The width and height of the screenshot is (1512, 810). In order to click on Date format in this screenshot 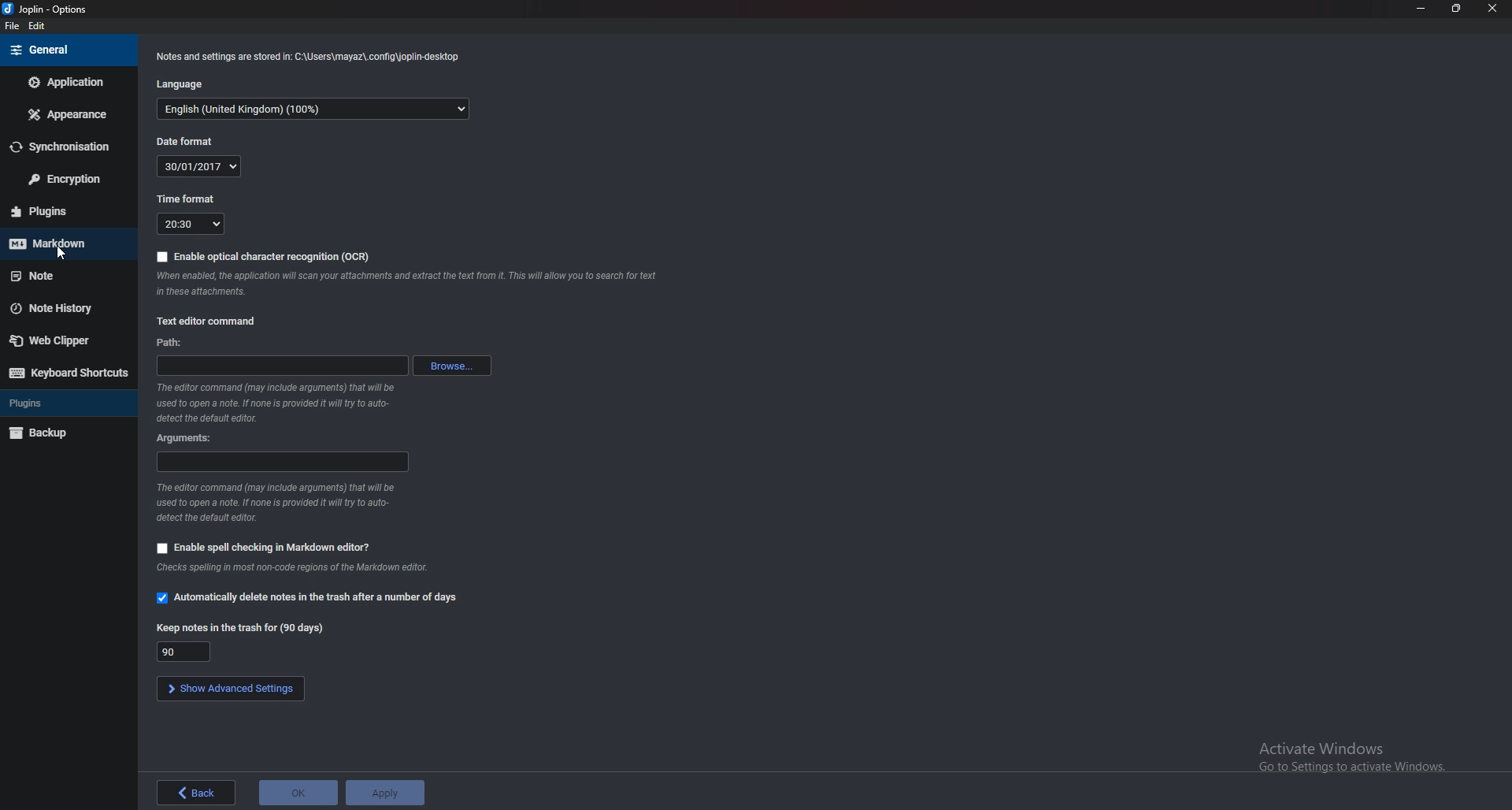, I will do `click(191, 139)`.